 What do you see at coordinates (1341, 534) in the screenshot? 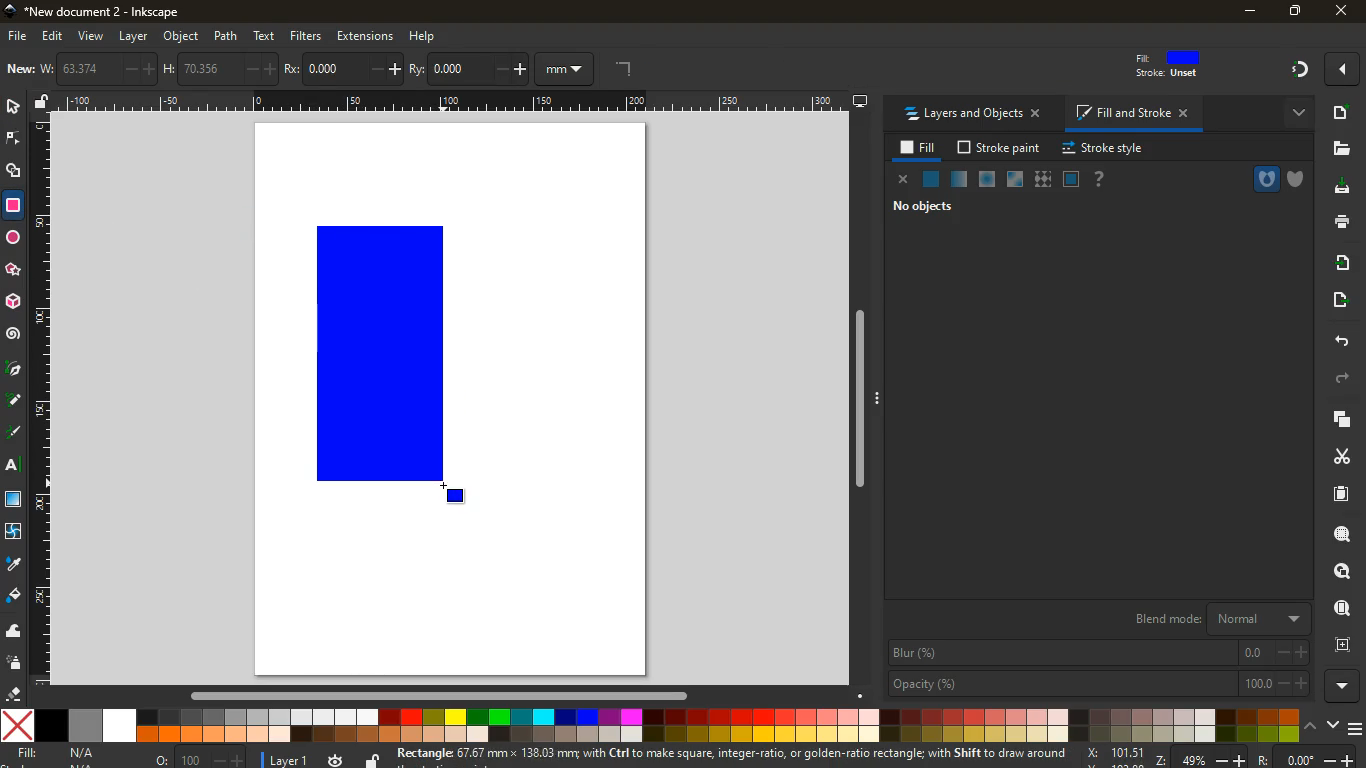
I see `search` at bounding box center [1341, 534].